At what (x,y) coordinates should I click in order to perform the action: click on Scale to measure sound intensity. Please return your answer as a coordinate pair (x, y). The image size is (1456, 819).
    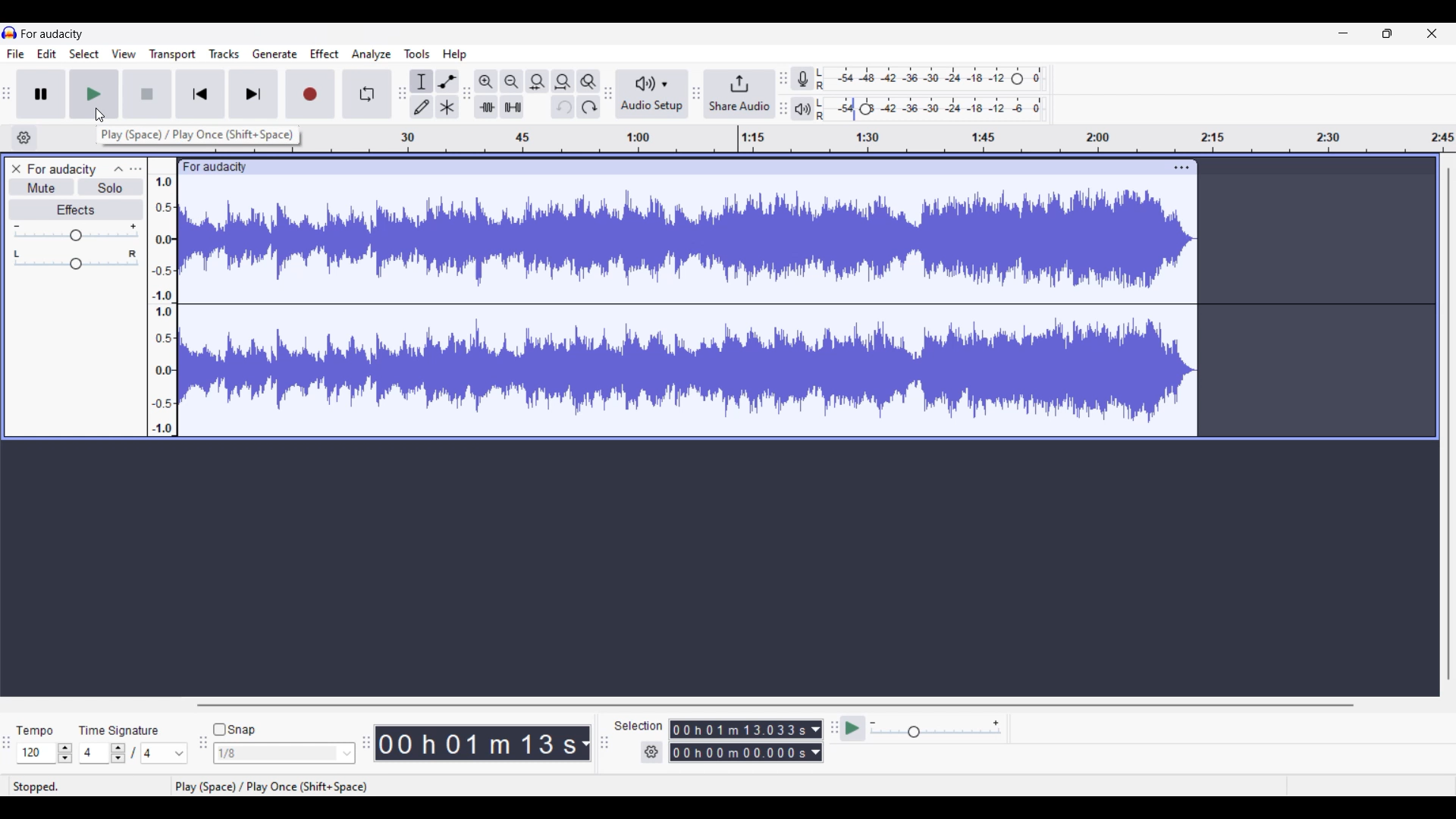
    Looking at the image, I should click on (163, 305).